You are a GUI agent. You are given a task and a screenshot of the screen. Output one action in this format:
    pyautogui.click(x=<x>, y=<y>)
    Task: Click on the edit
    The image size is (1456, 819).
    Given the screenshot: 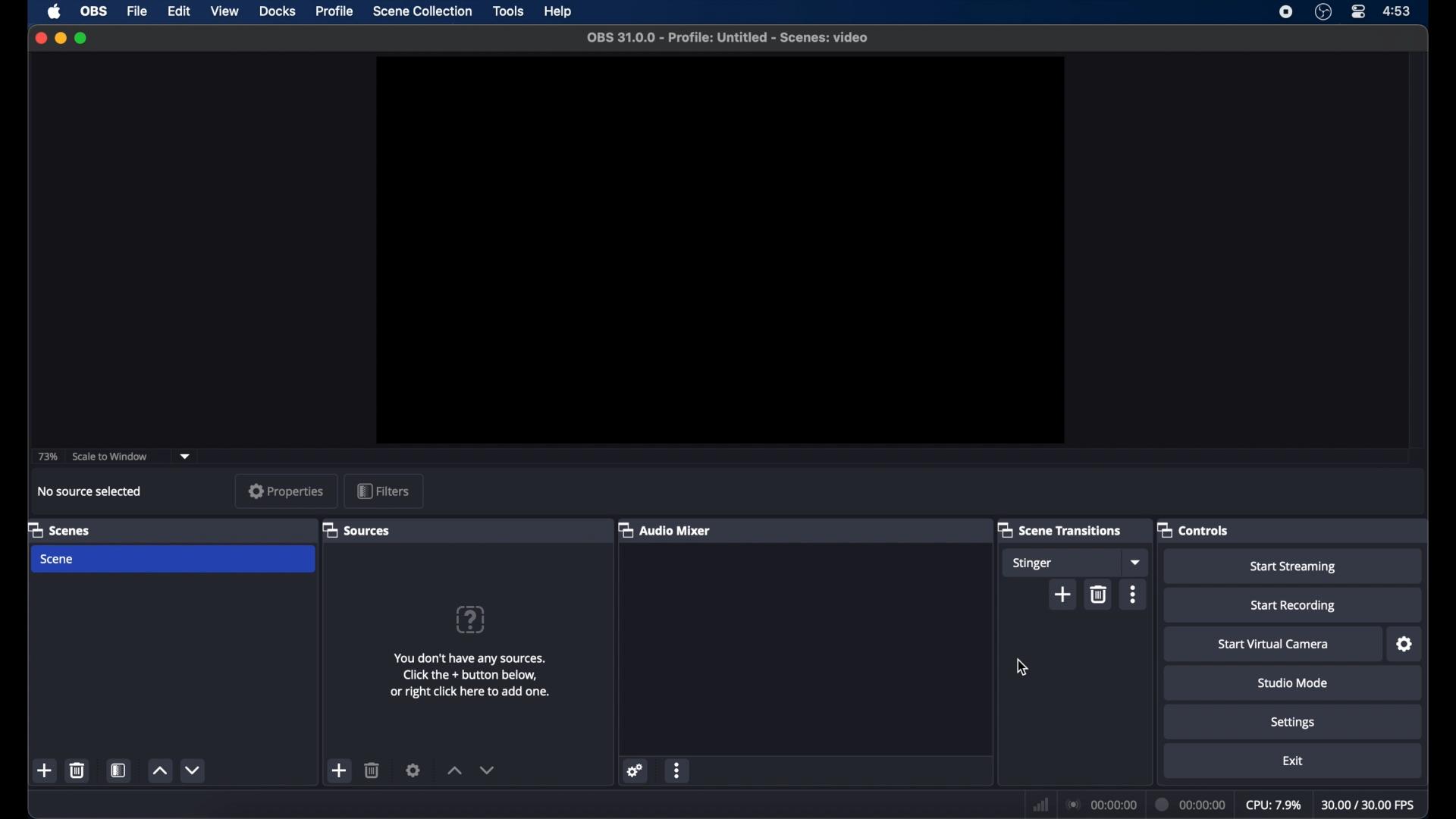 What is the action you would take?
    pyautogui.click(x=178, y=11)
    